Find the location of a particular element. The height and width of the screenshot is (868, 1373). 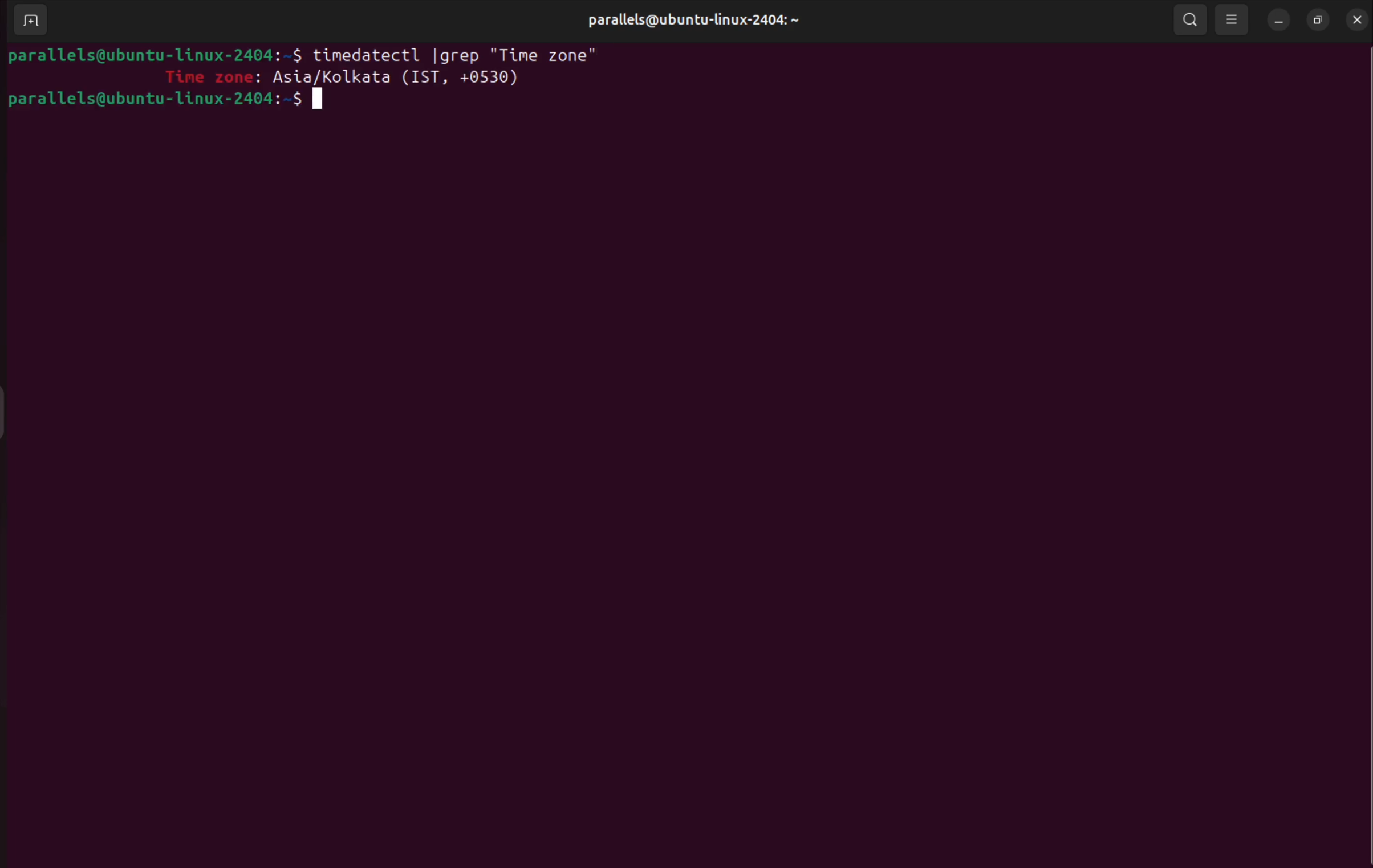

view options is located at coordinates (1233, 18).